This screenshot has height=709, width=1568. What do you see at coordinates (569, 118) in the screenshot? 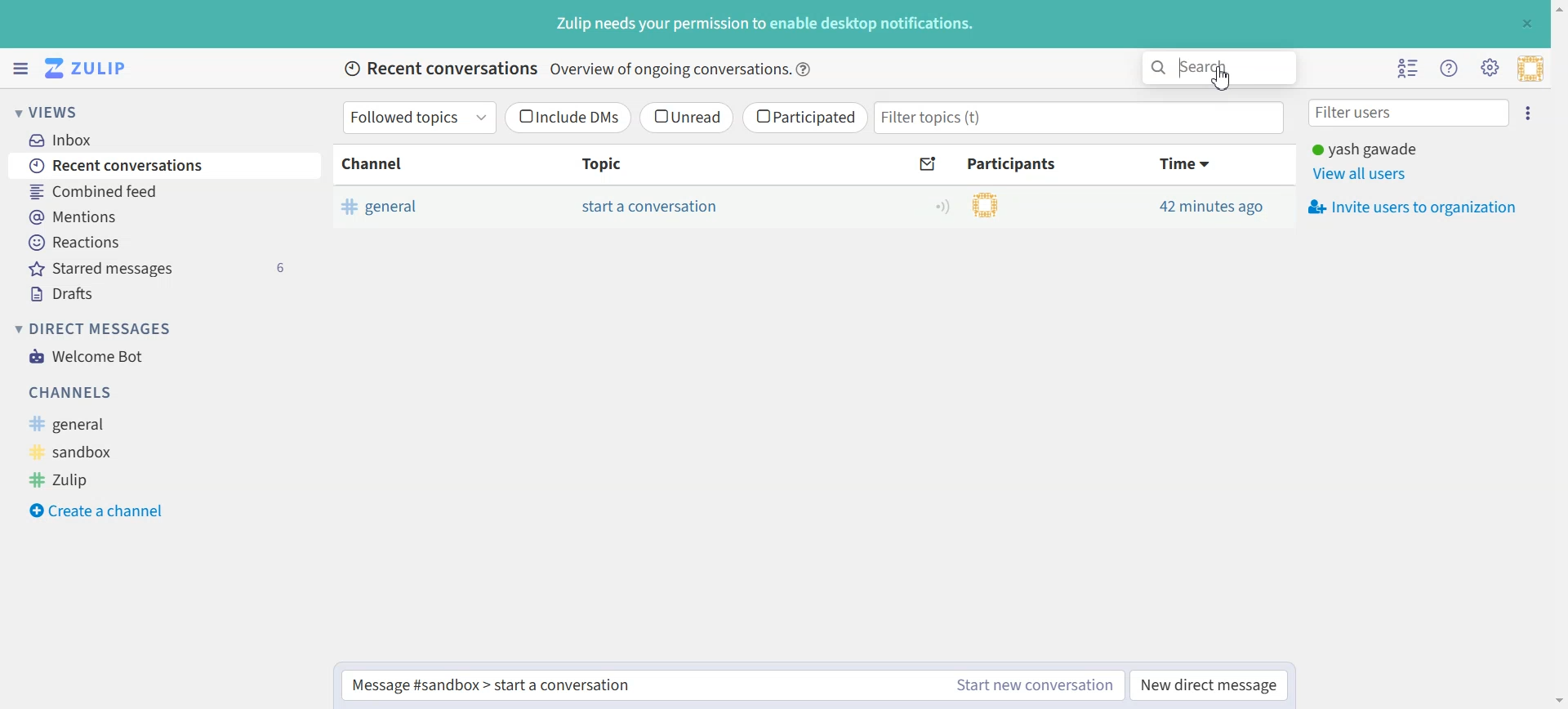
I see `Include DMs` at bounding box center [569, 118].